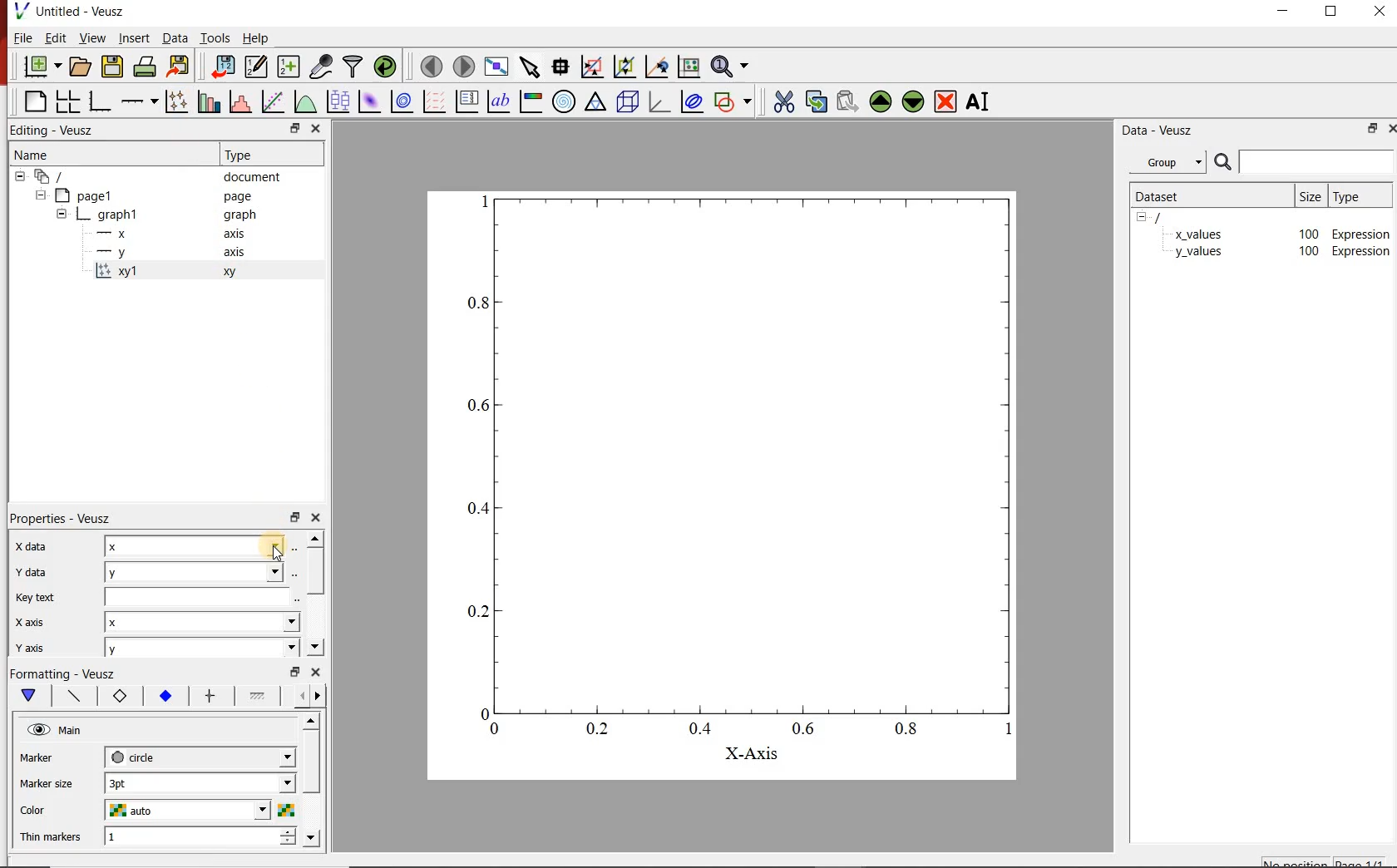 The height and width of the screenshot is (868, 1397). What do you see at coordinates (185, 809) in the screenshot?
I see `auto` at bounding box center [185, 809].